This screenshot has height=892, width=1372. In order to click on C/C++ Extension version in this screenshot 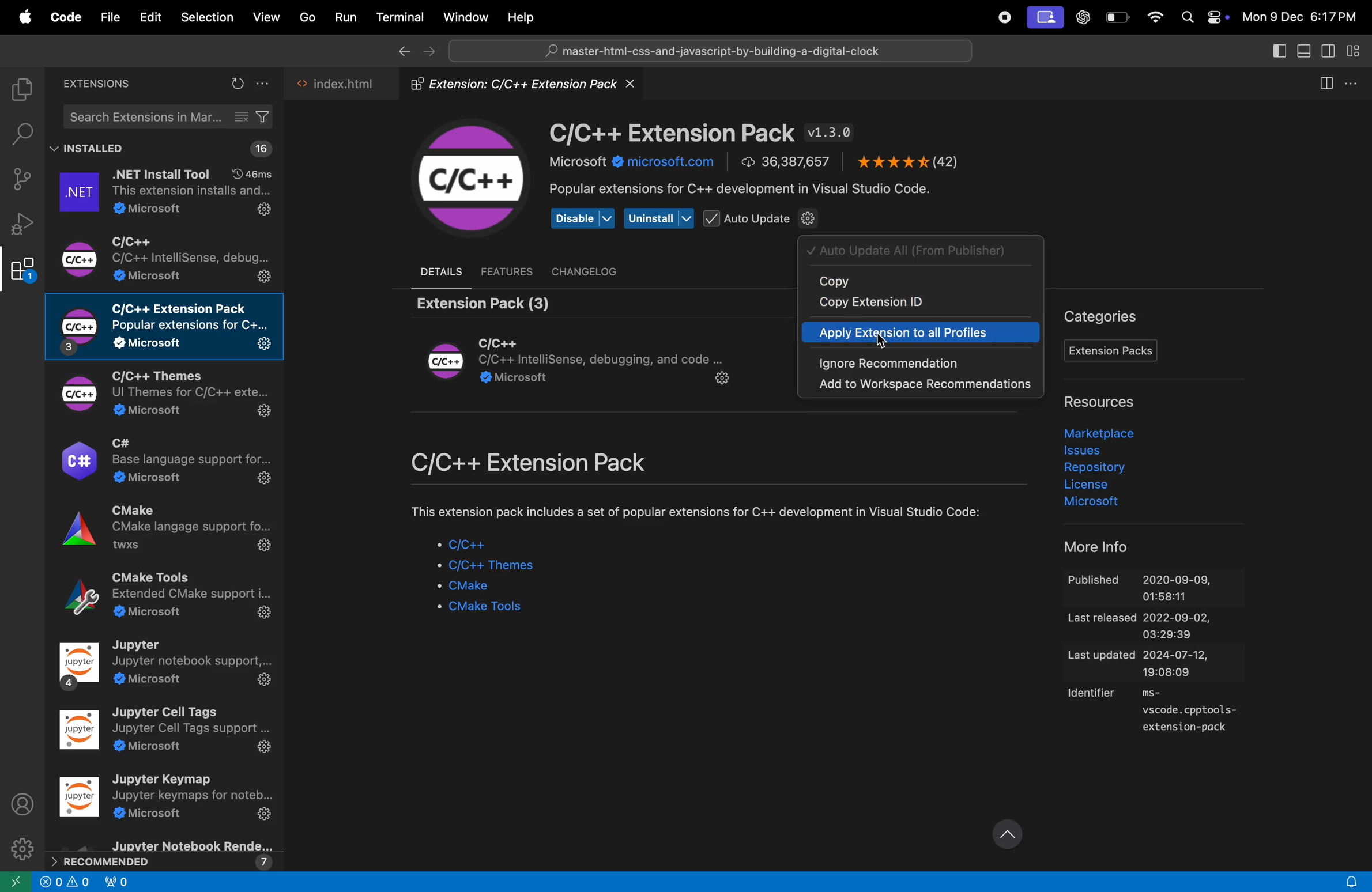, I will do `click(703, 134)`.